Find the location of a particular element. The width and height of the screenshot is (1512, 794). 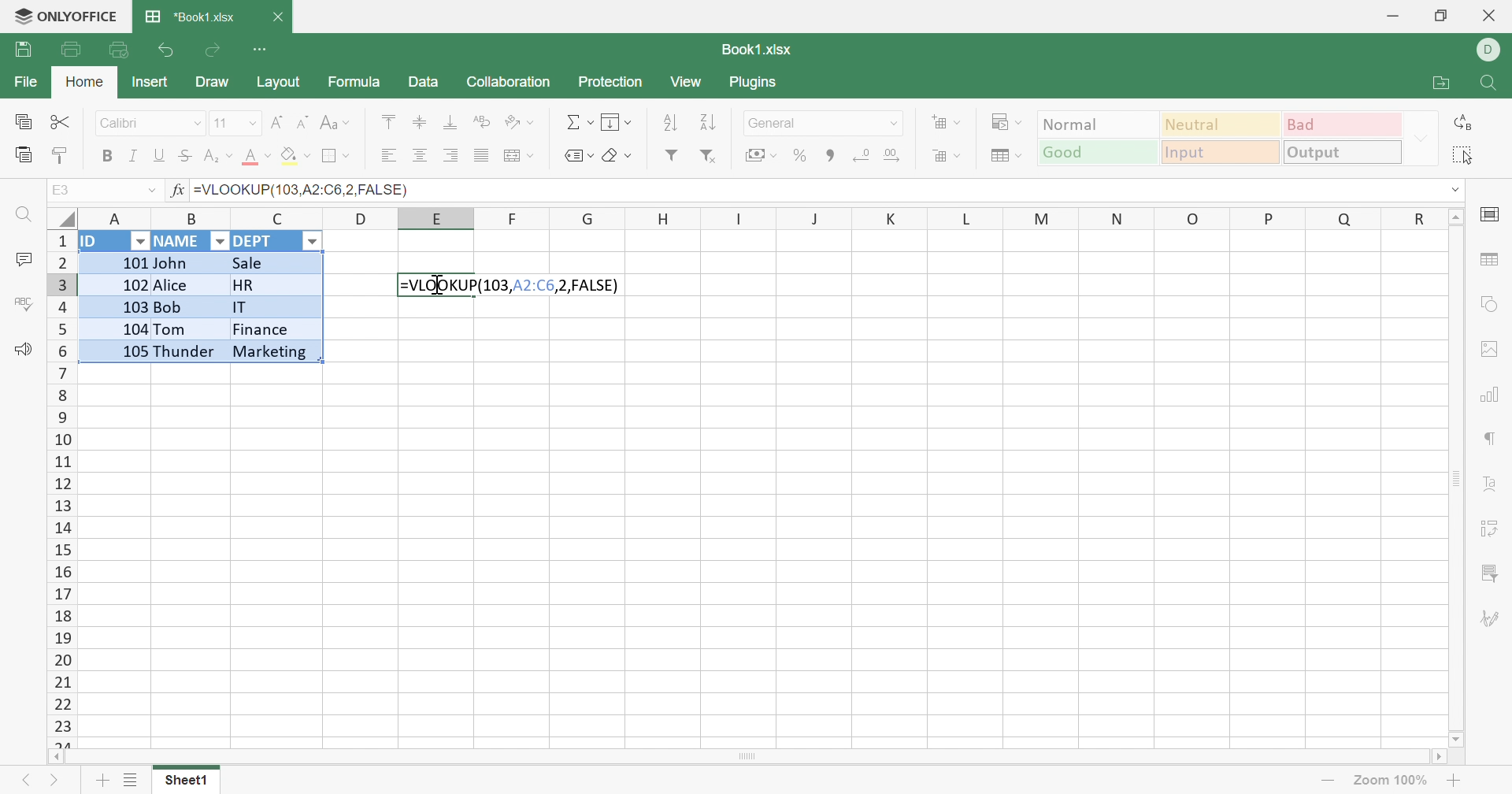

Filter is located at coordinates (673, 156).